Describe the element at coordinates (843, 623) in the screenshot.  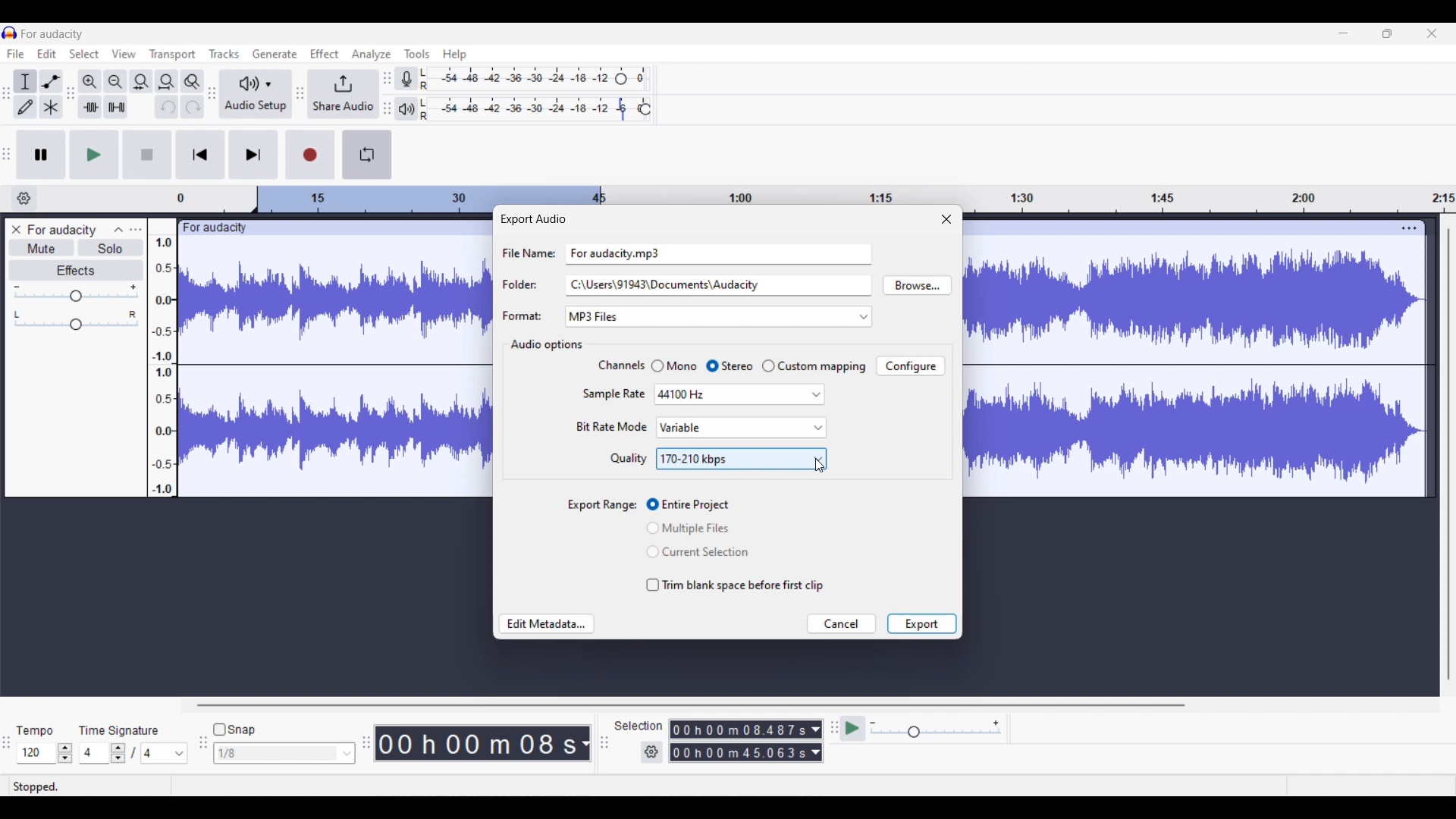
I see `Cancel` at that location.